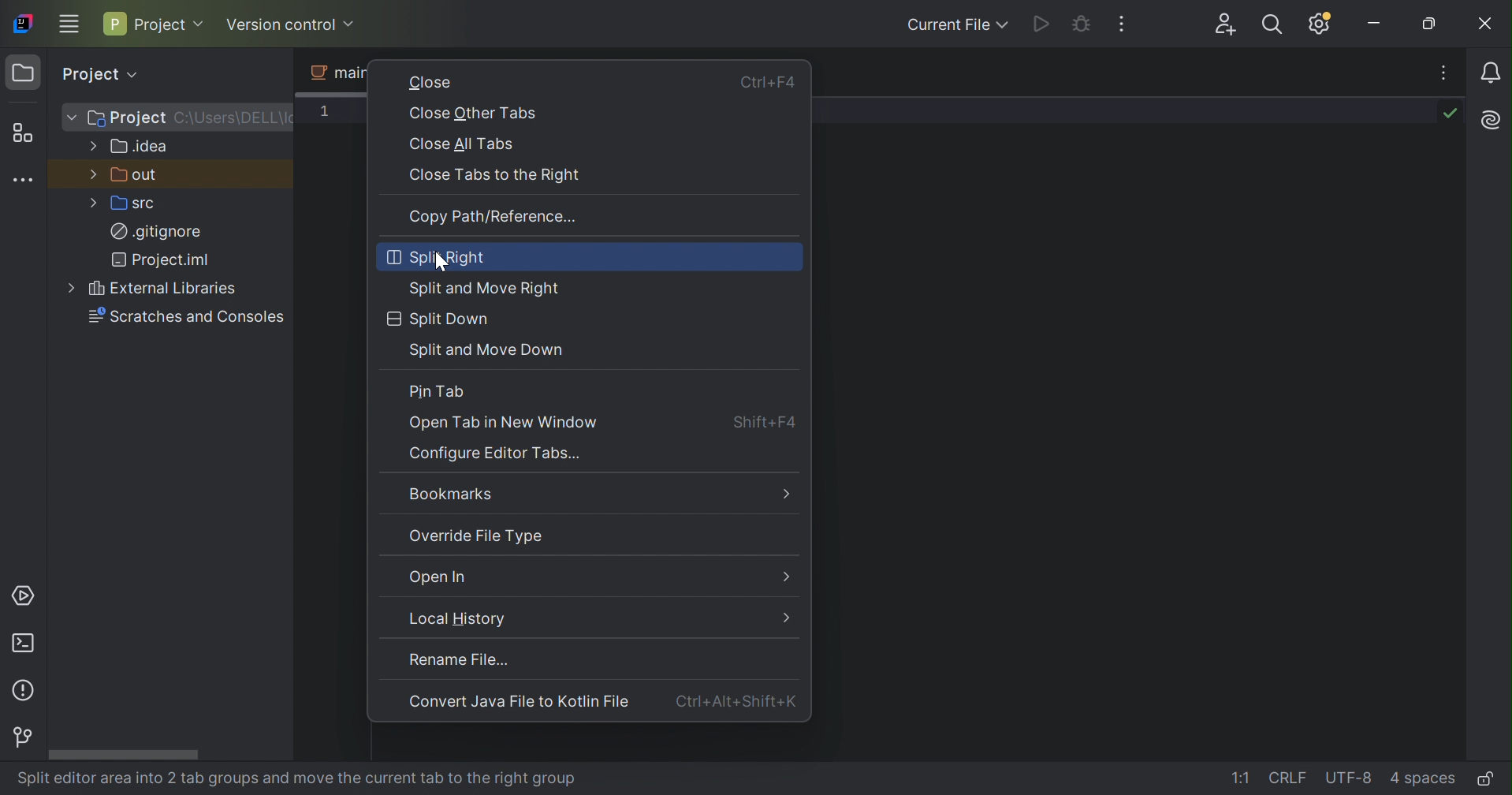  What do you see at coordinates (164, 262) in the screenshot?
I see `Project.iml` at bounding box center [164, 262].